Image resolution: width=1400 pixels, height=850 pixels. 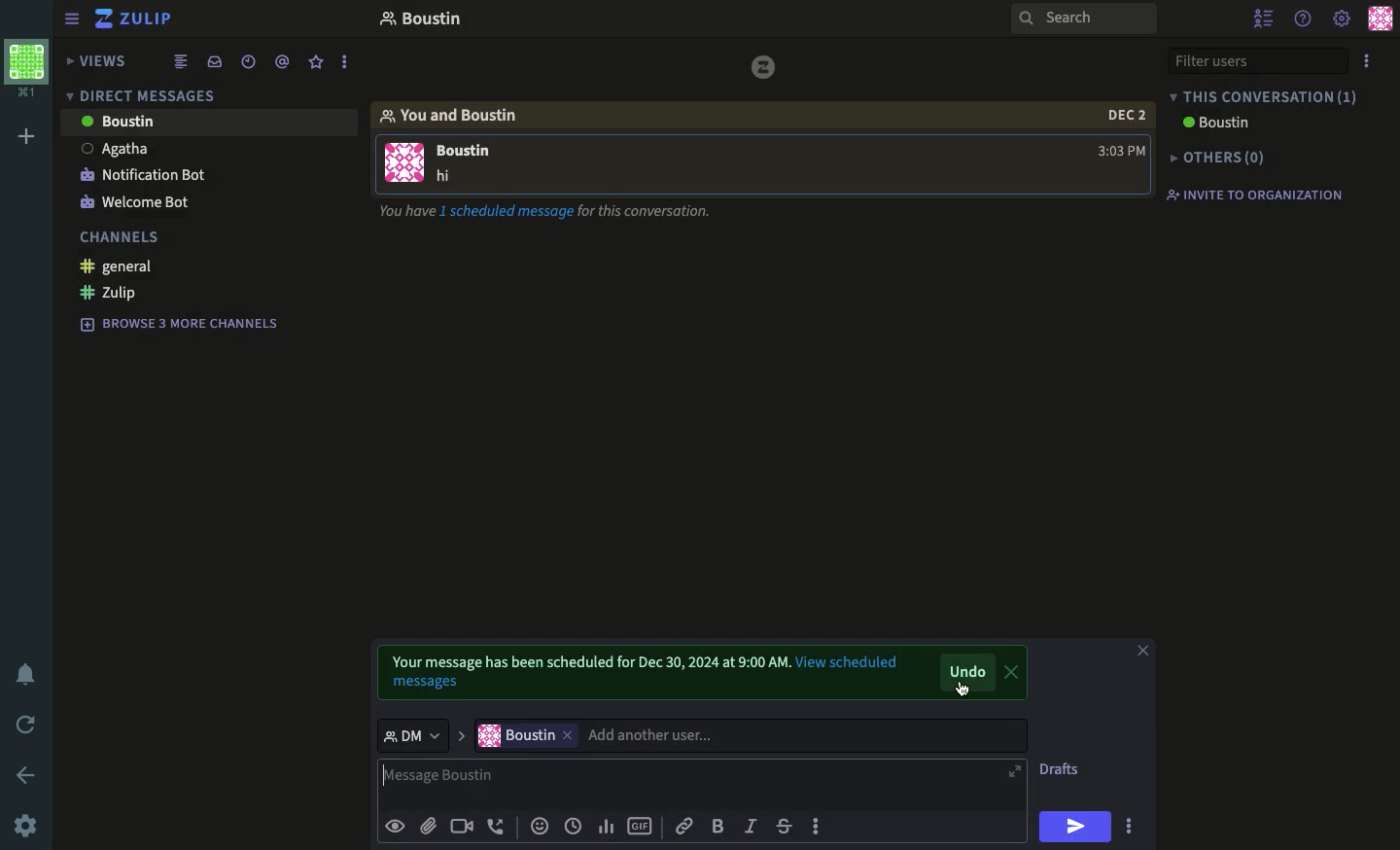 I want to click on options, so click(x=345, y=62).